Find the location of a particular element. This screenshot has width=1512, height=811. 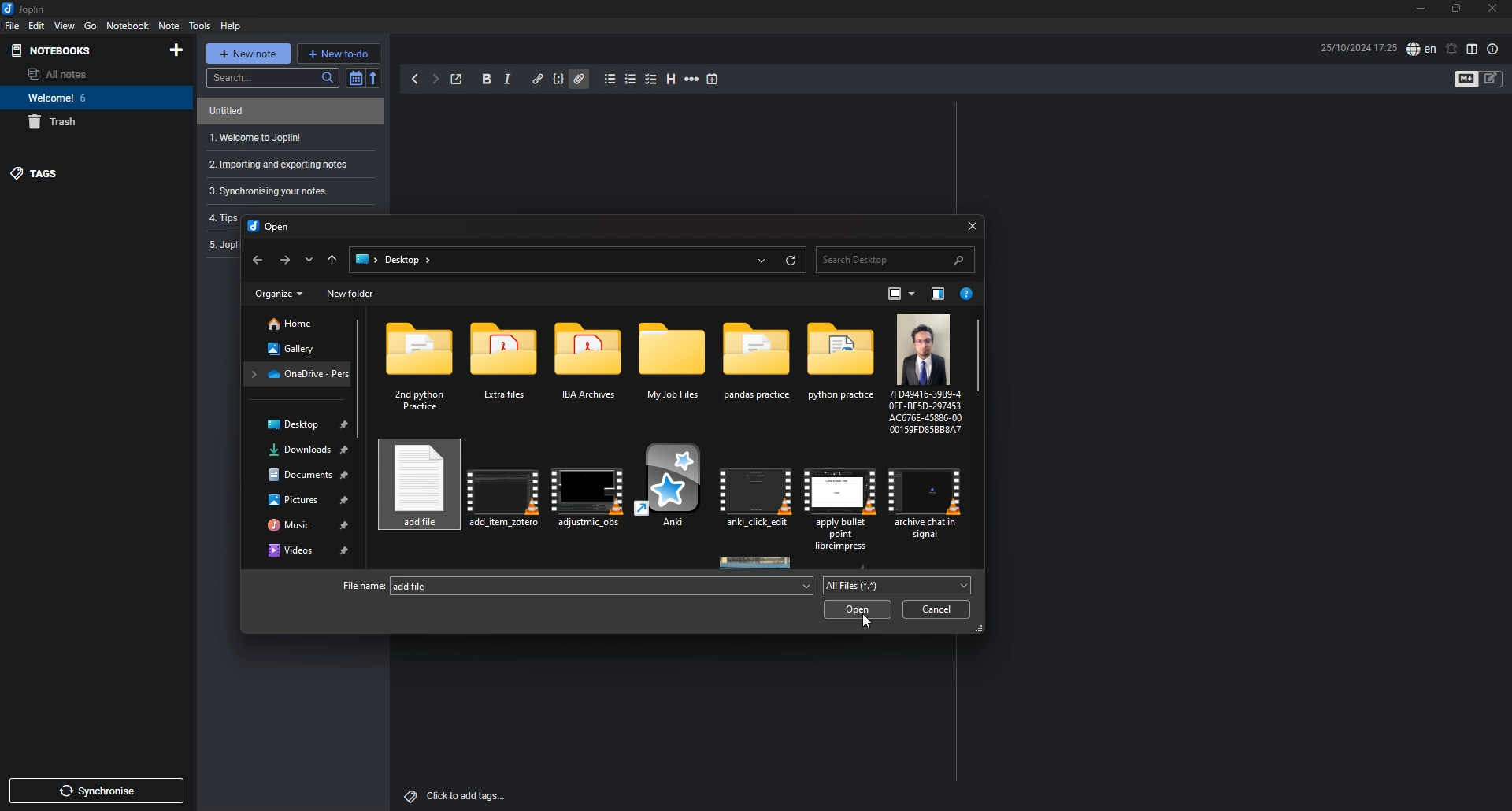

cancel is located at coordinates (936, 609).